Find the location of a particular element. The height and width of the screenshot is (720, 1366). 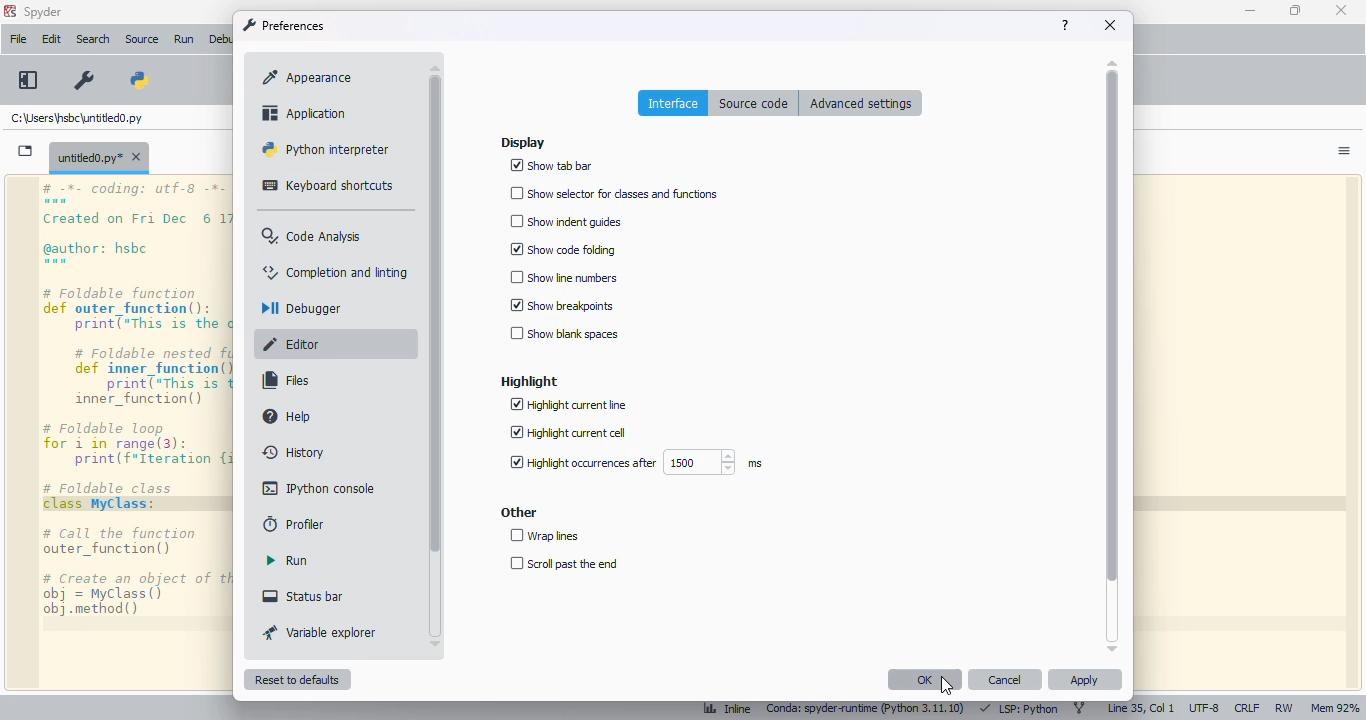

appearance is located at coordinates (307, 78).